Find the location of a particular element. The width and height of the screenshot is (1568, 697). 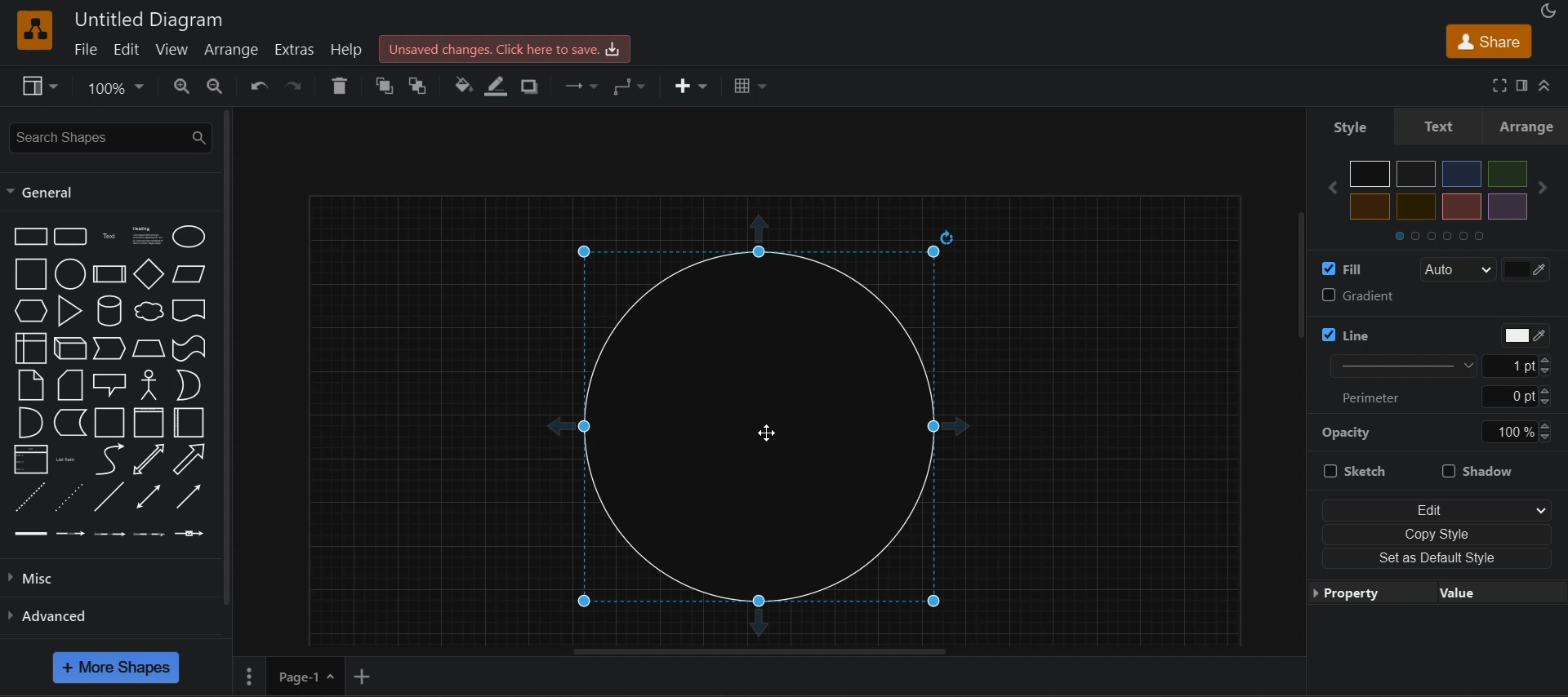

or is located at coordinates (194, 384).